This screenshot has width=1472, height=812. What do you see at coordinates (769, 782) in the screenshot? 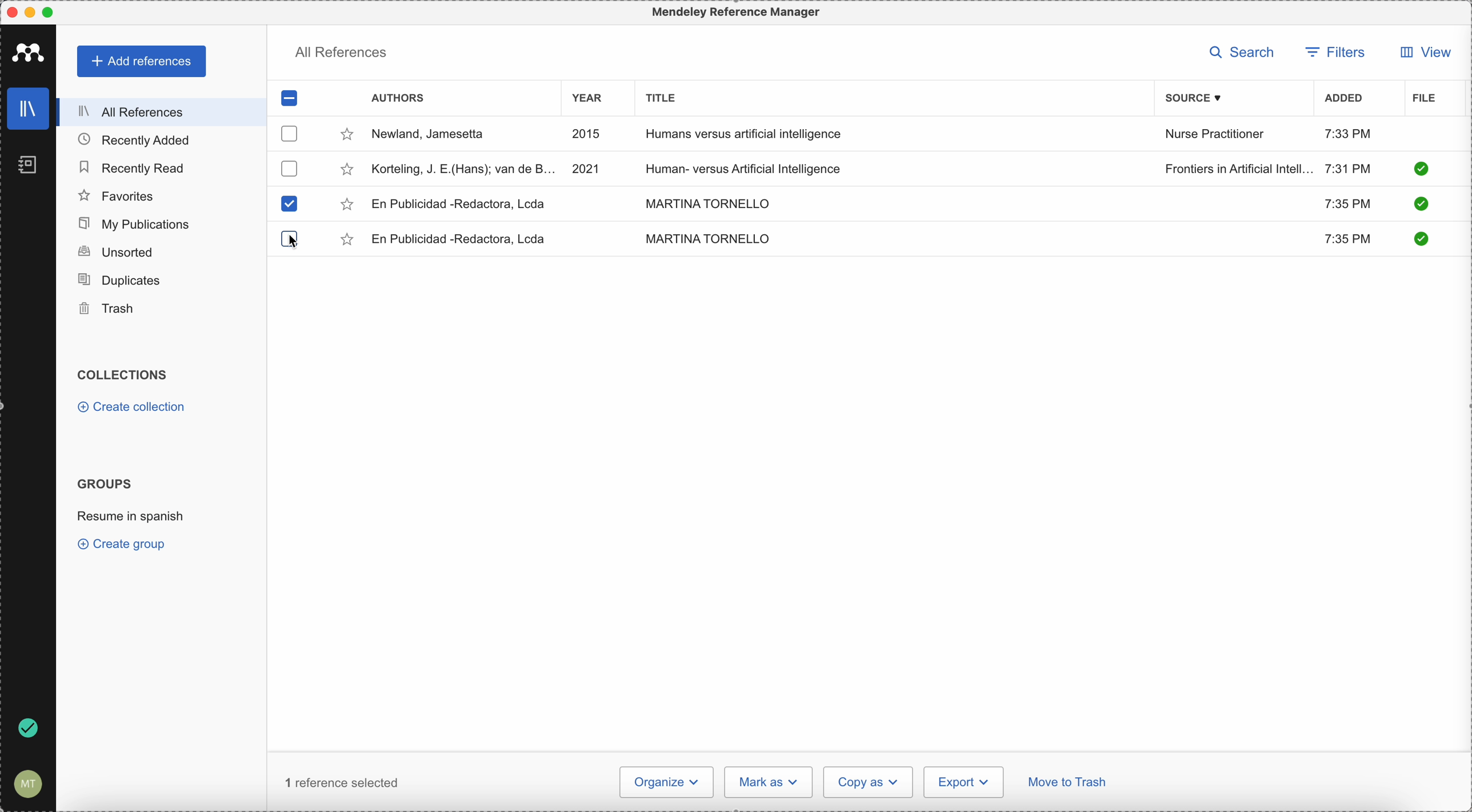
I see `mark as` at bounding box center [769, 782].